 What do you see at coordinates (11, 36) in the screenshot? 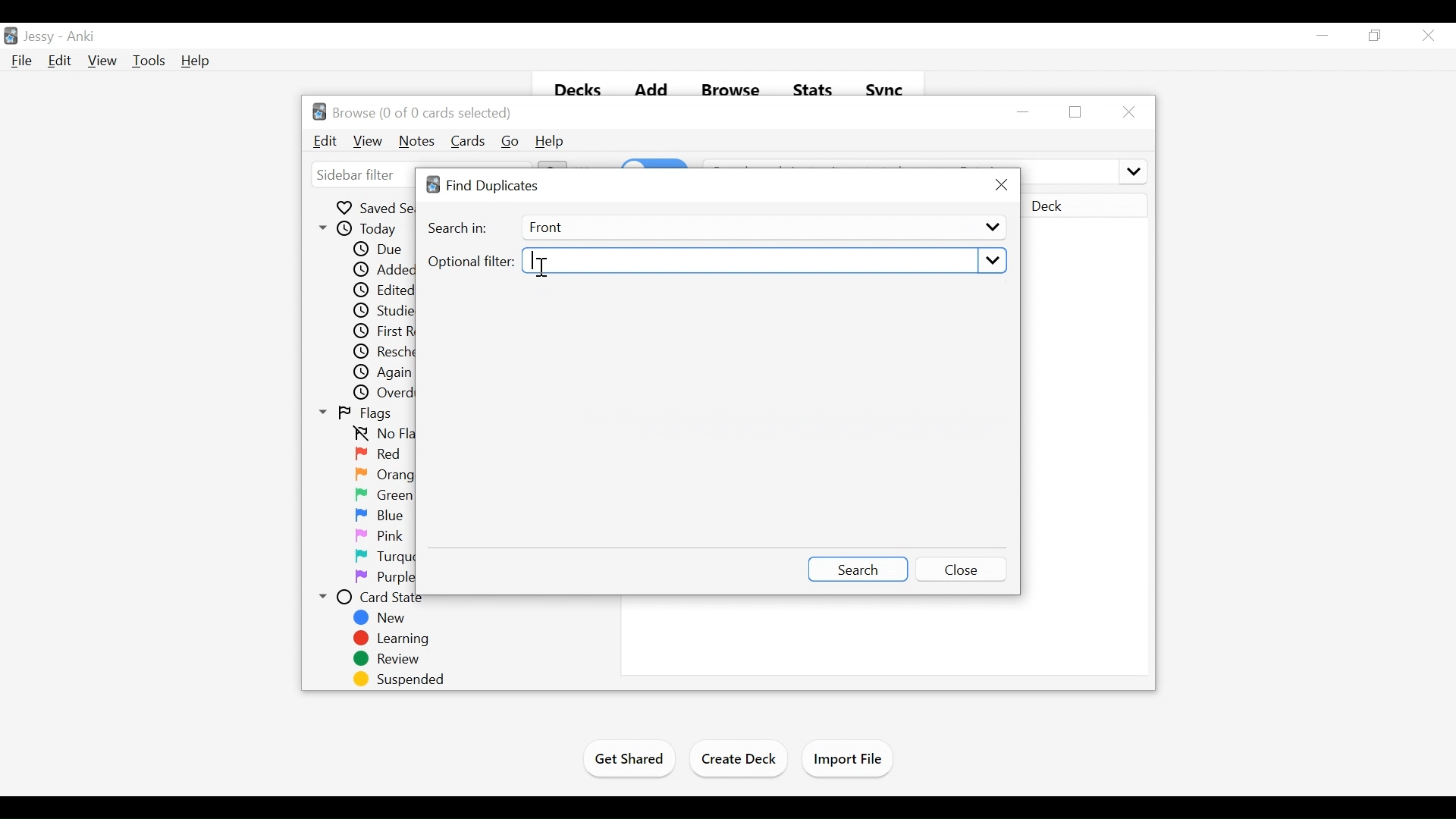
I see `Anki Desktop Icon` at bounding box center [11, 36].